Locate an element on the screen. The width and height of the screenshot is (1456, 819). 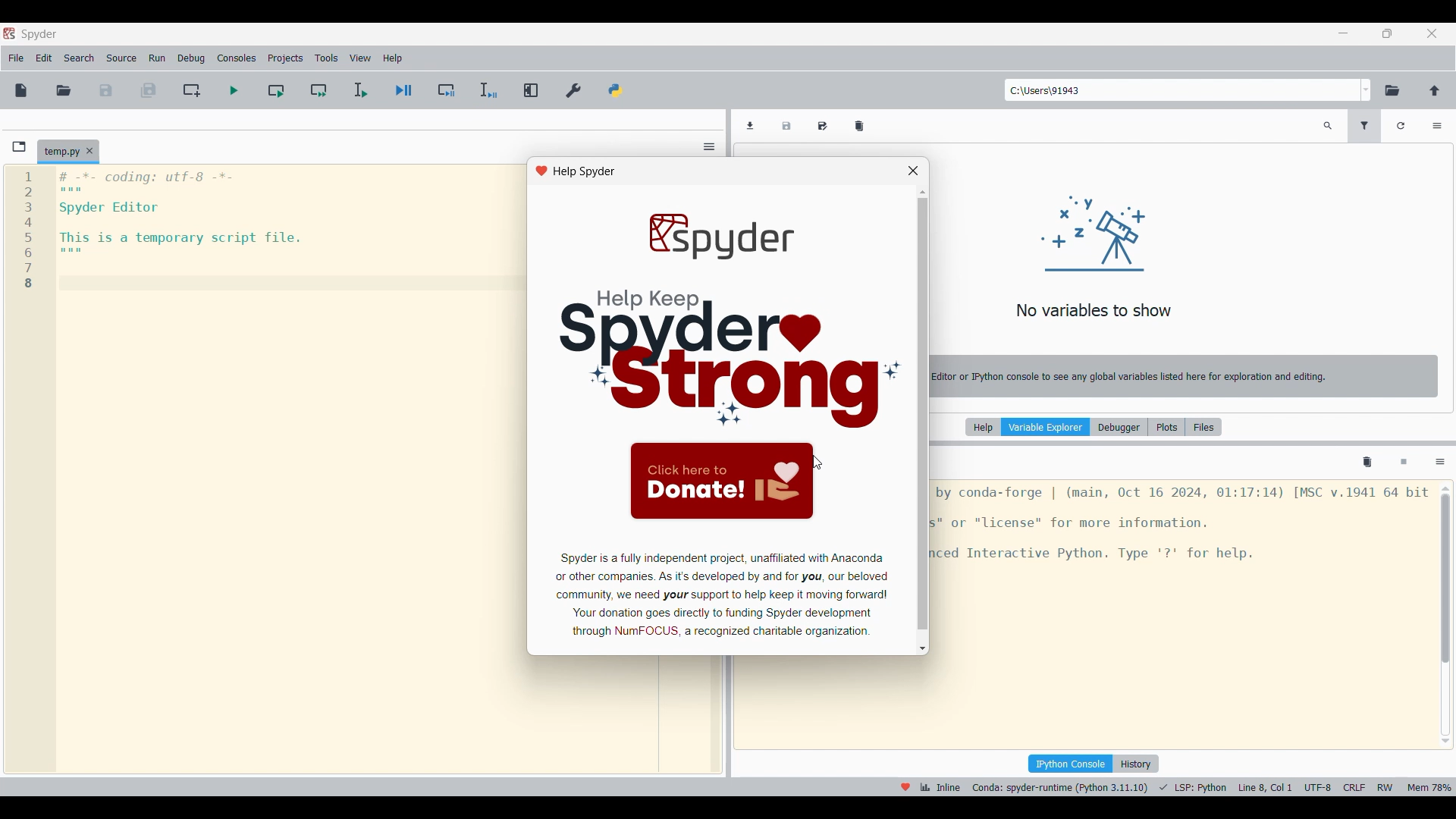
Consoles menu is located at coordinates (236, 58).